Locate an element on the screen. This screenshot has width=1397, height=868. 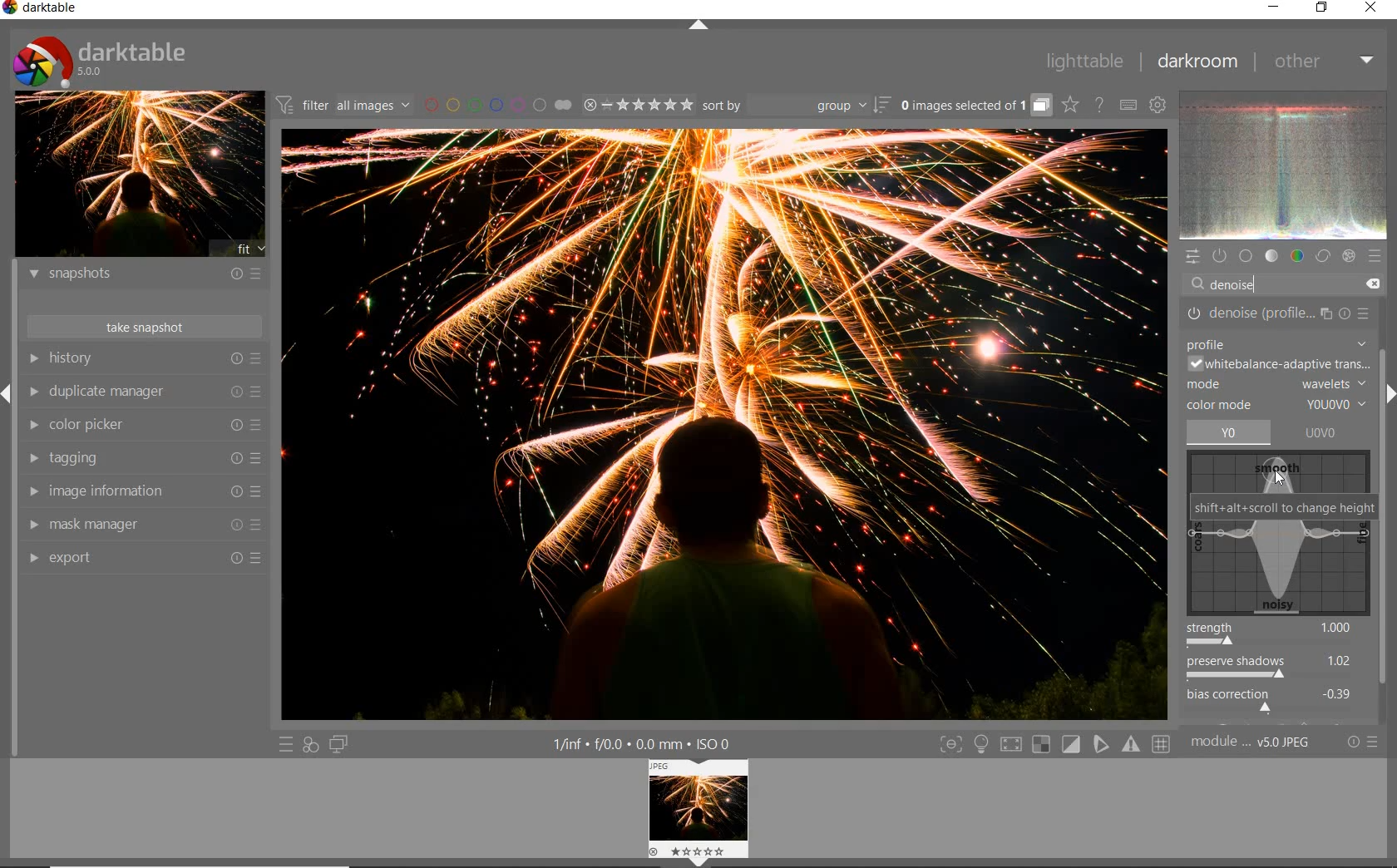
bias correction is located at coordinates (1275, 703).